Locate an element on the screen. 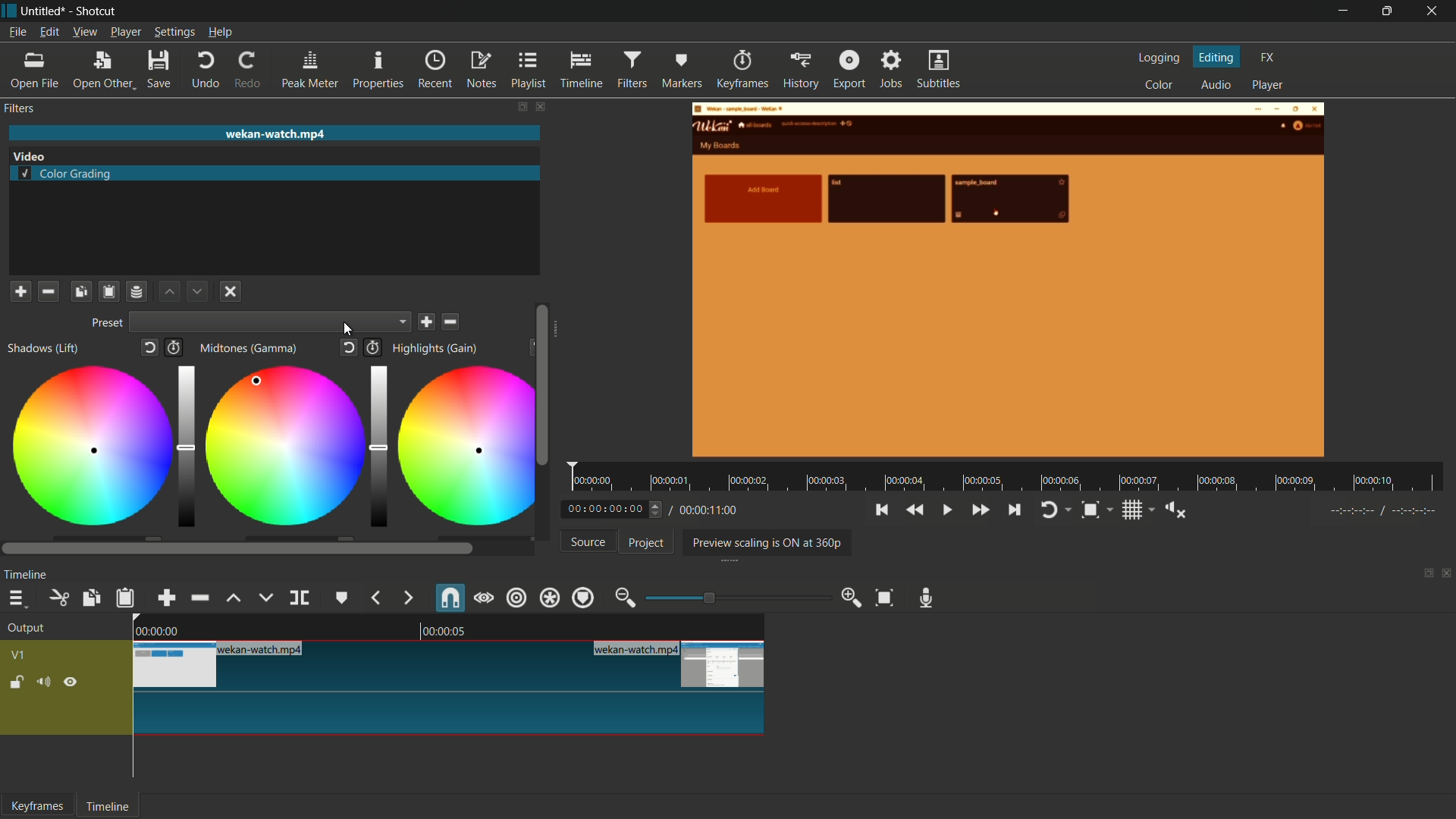  change layout is located at coordinates (522, 107).